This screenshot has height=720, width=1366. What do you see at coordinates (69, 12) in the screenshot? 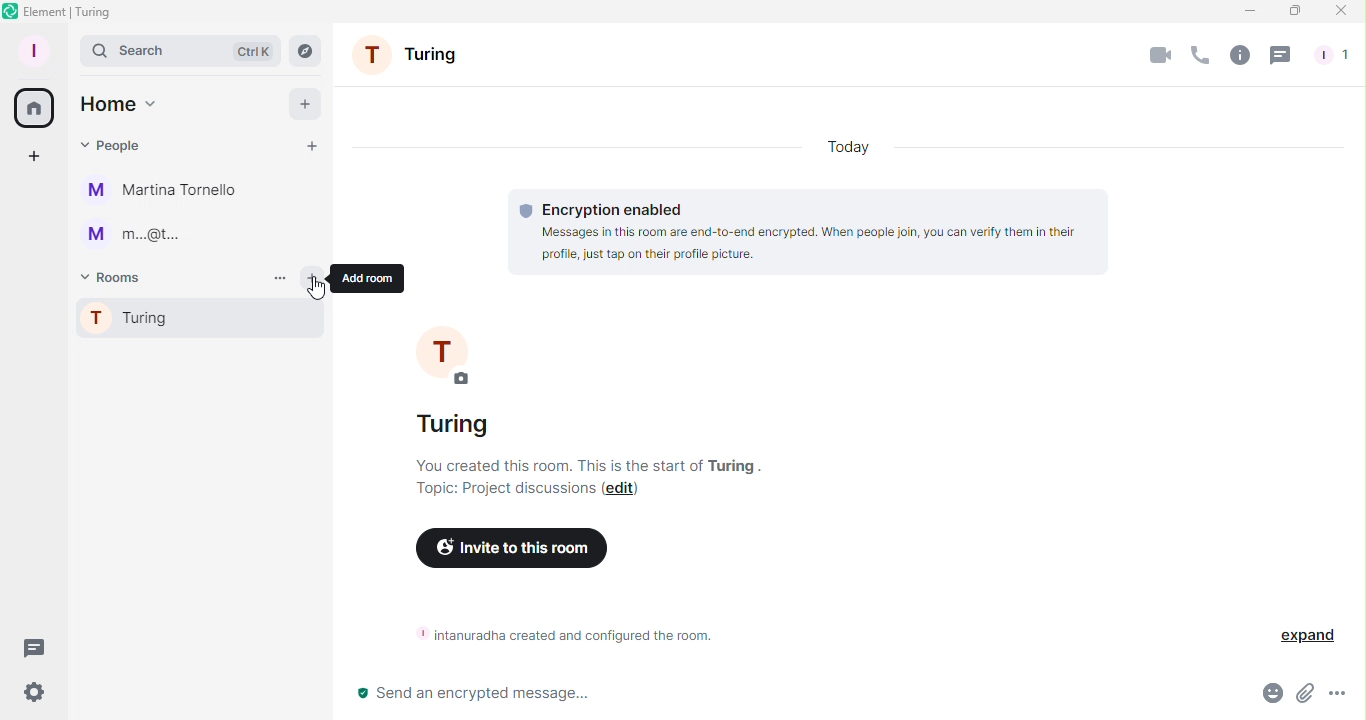
I see `Element icon` at bounding box center [69, 12].